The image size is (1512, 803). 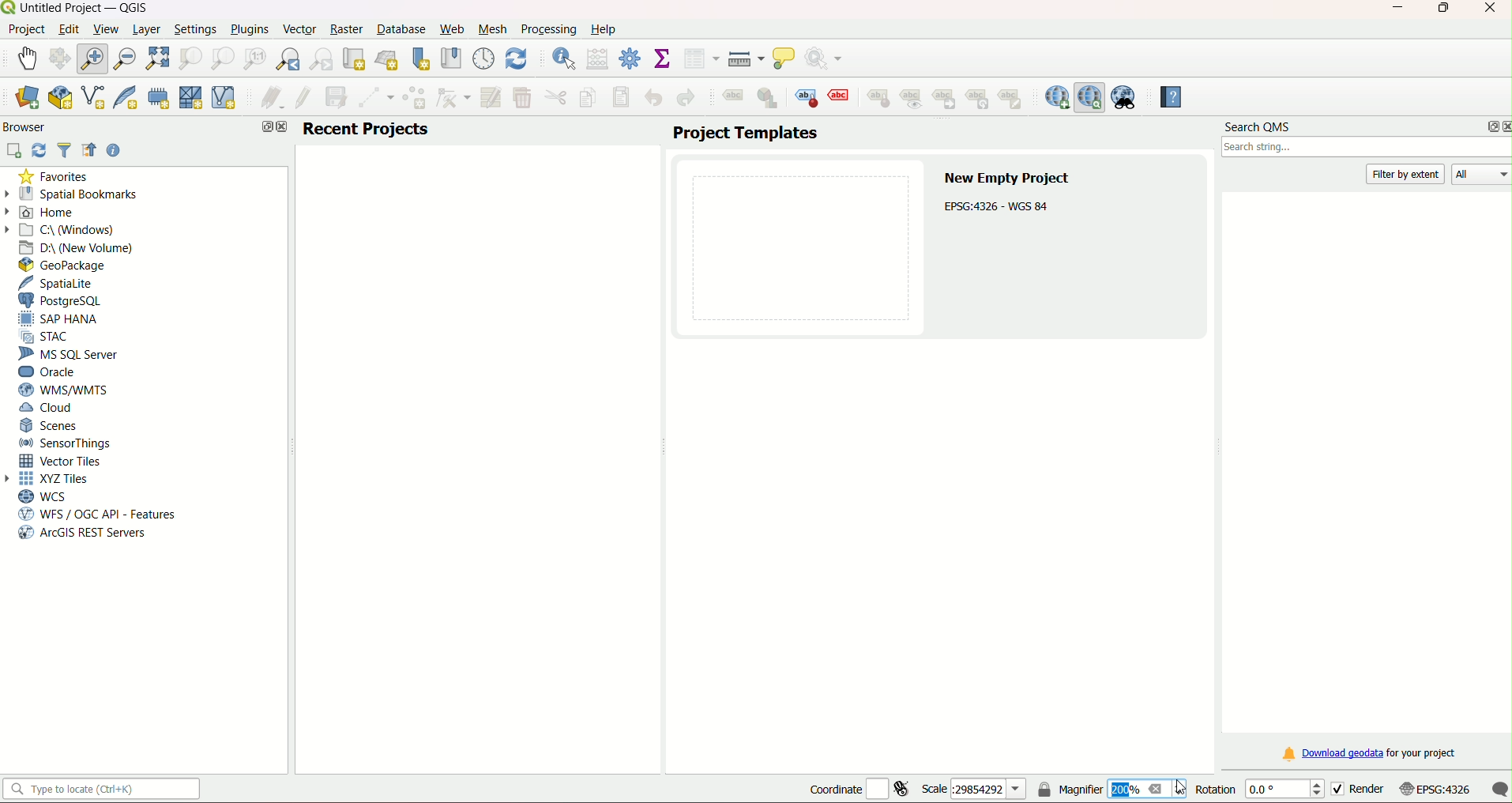 I want to click on help, so click(x=605, y=29).